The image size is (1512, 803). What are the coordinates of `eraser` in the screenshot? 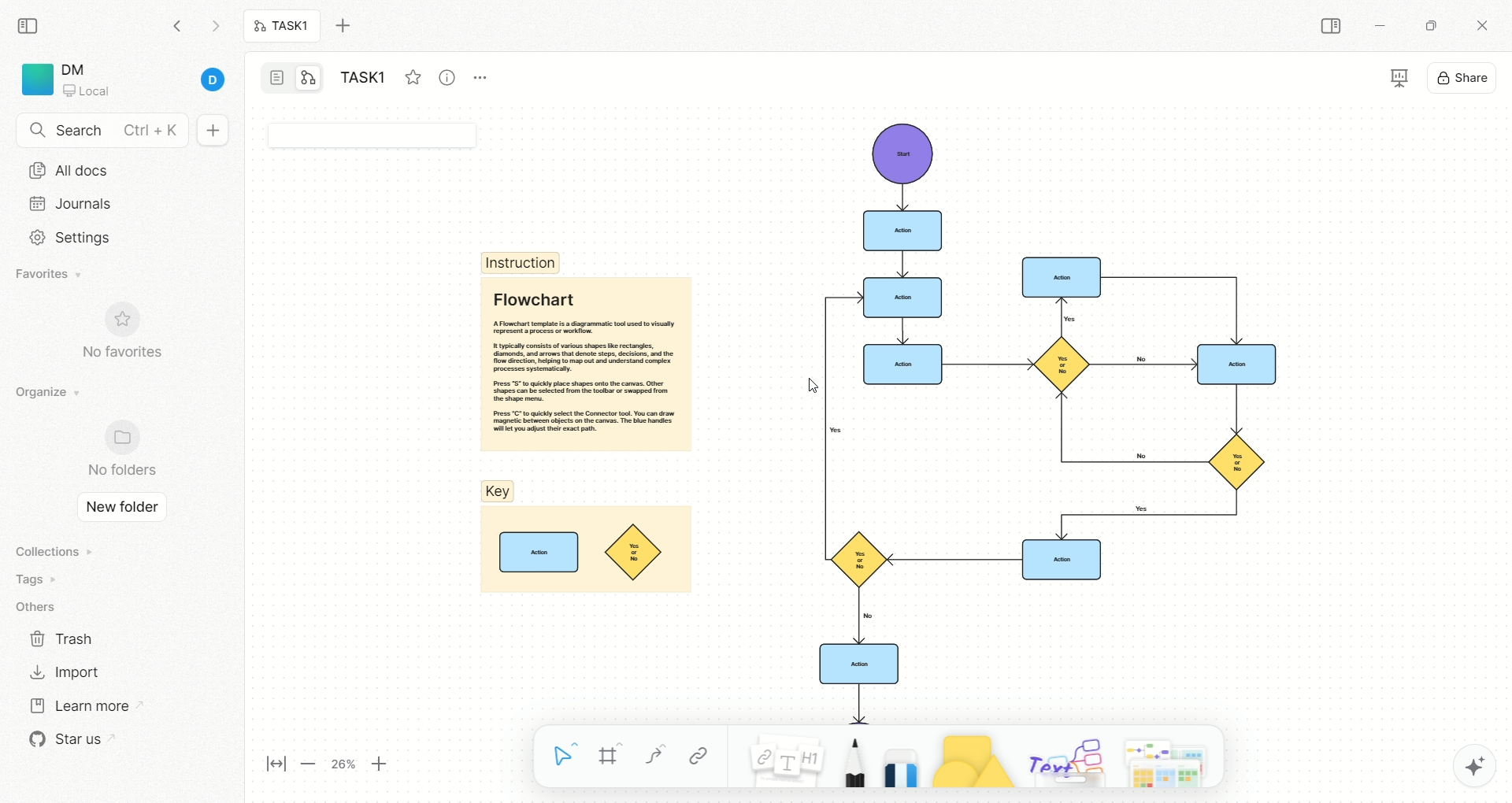 It's located at (896, 756).